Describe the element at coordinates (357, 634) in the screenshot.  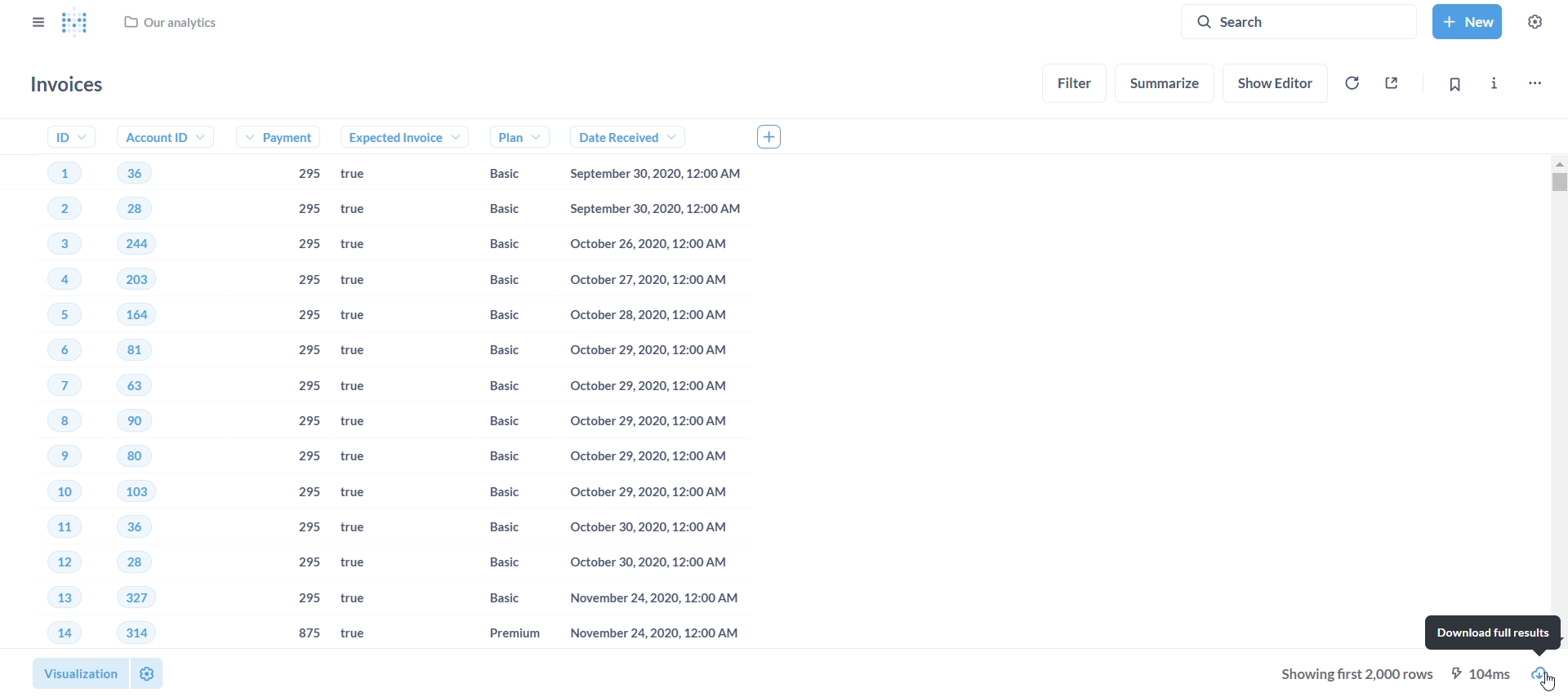
I see `true` at that location.